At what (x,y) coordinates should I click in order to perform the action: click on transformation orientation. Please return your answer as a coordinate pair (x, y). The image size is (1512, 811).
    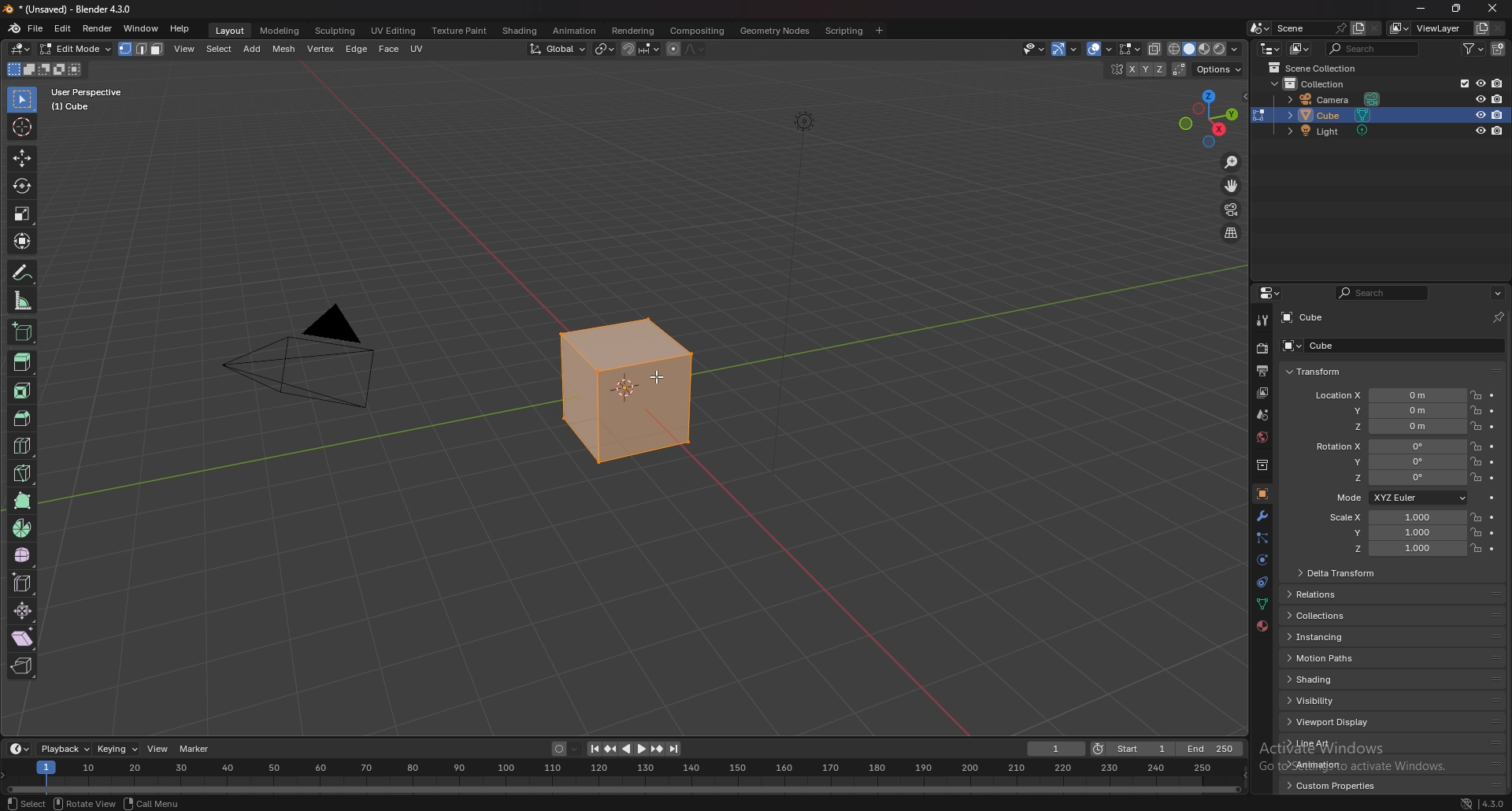
    Looking at the image, I should click on (557, 49).